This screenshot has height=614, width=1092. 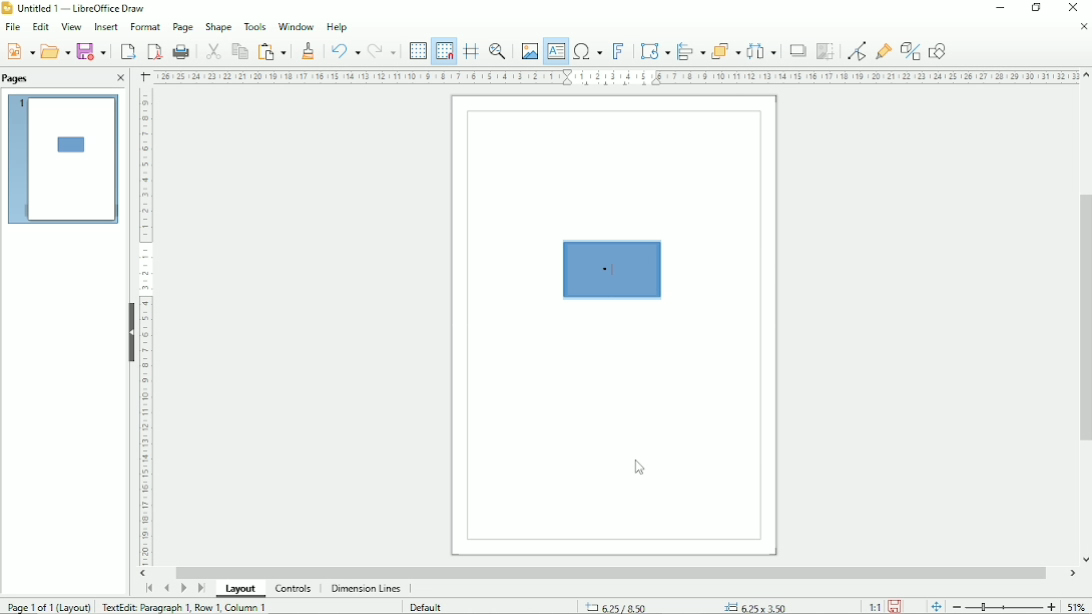 What do you see at coordinates (655, 50) in the screenshot?
I see `Transformation` at bounding box center [655, 50].